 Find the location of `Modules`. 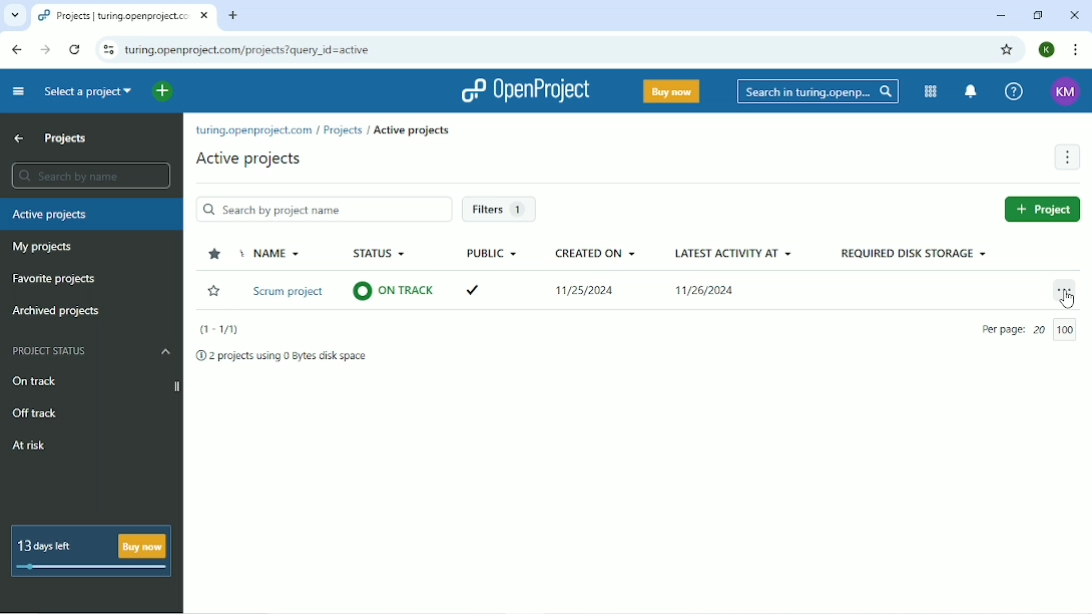

Modules is located at coordinates (931, 91).